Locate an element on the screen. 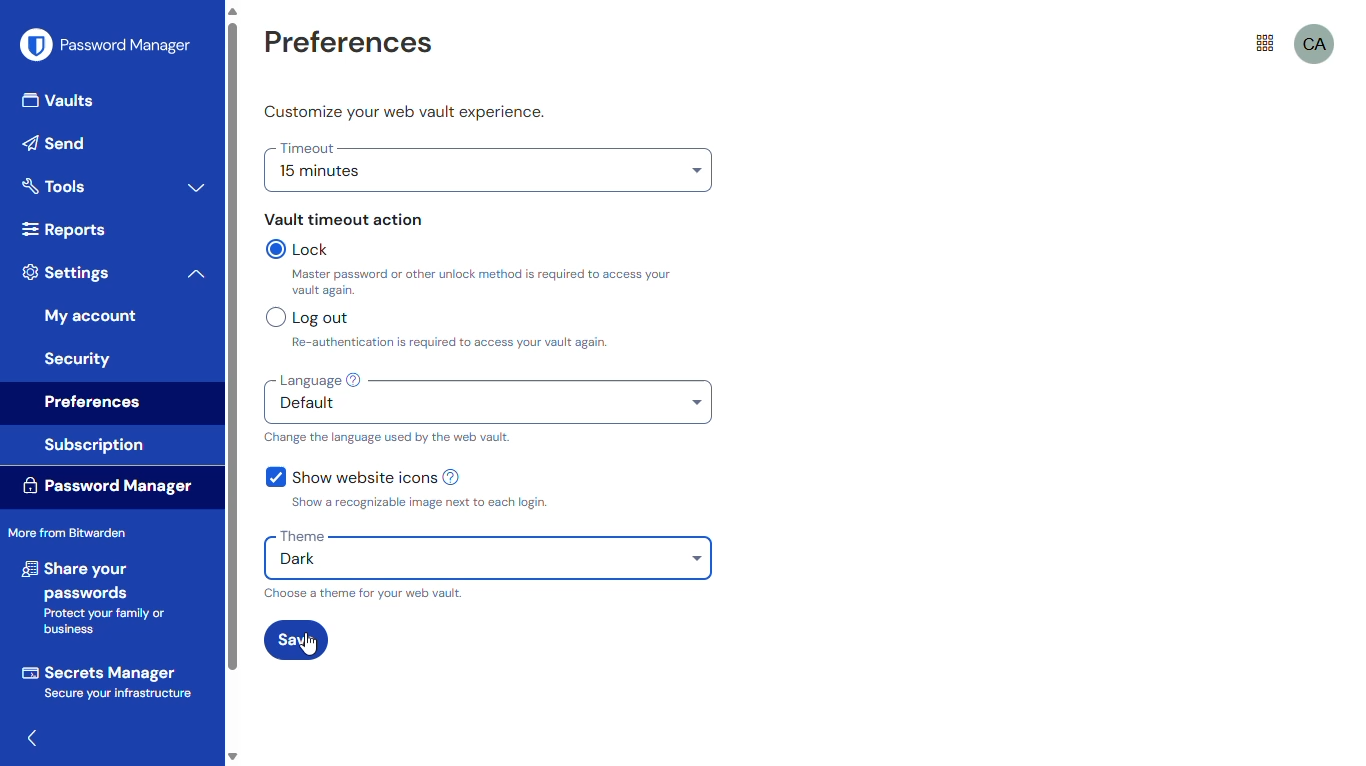  show a recognizable image next to each login. is located at coordinates (417, 503).